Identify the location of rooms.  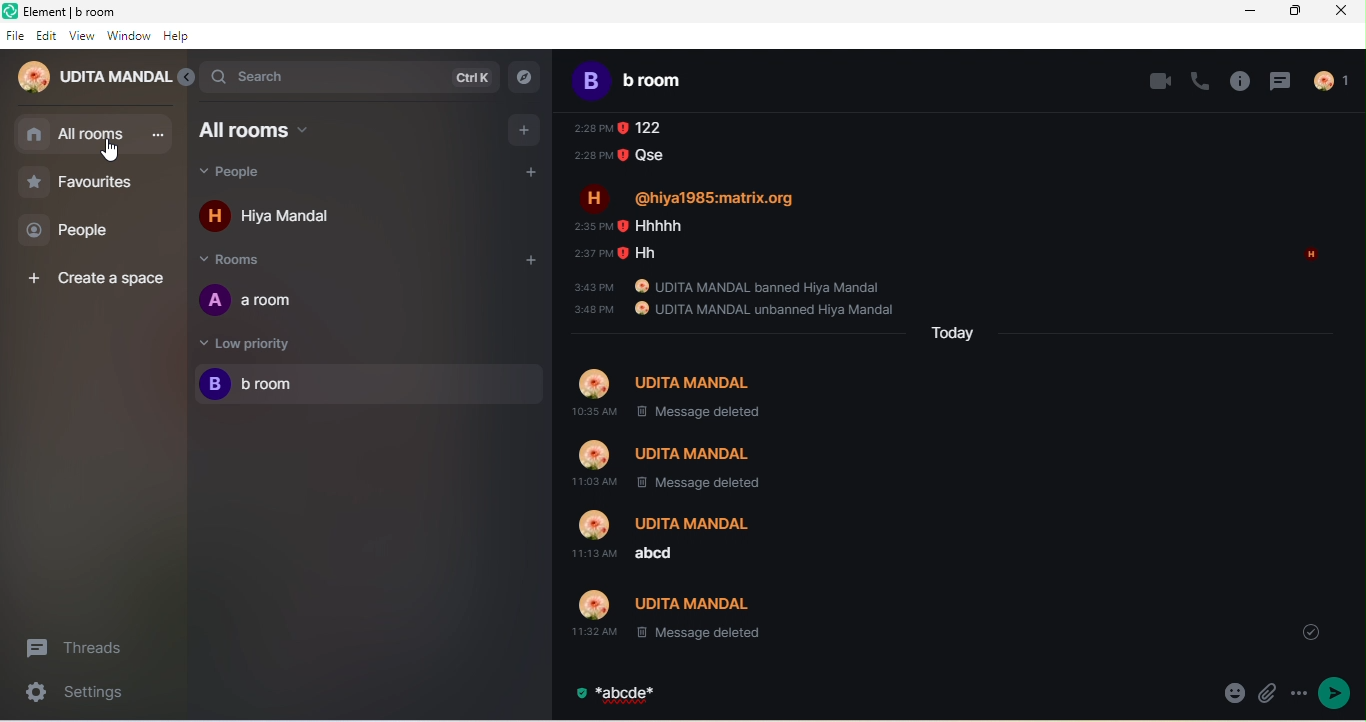
(245, 258).